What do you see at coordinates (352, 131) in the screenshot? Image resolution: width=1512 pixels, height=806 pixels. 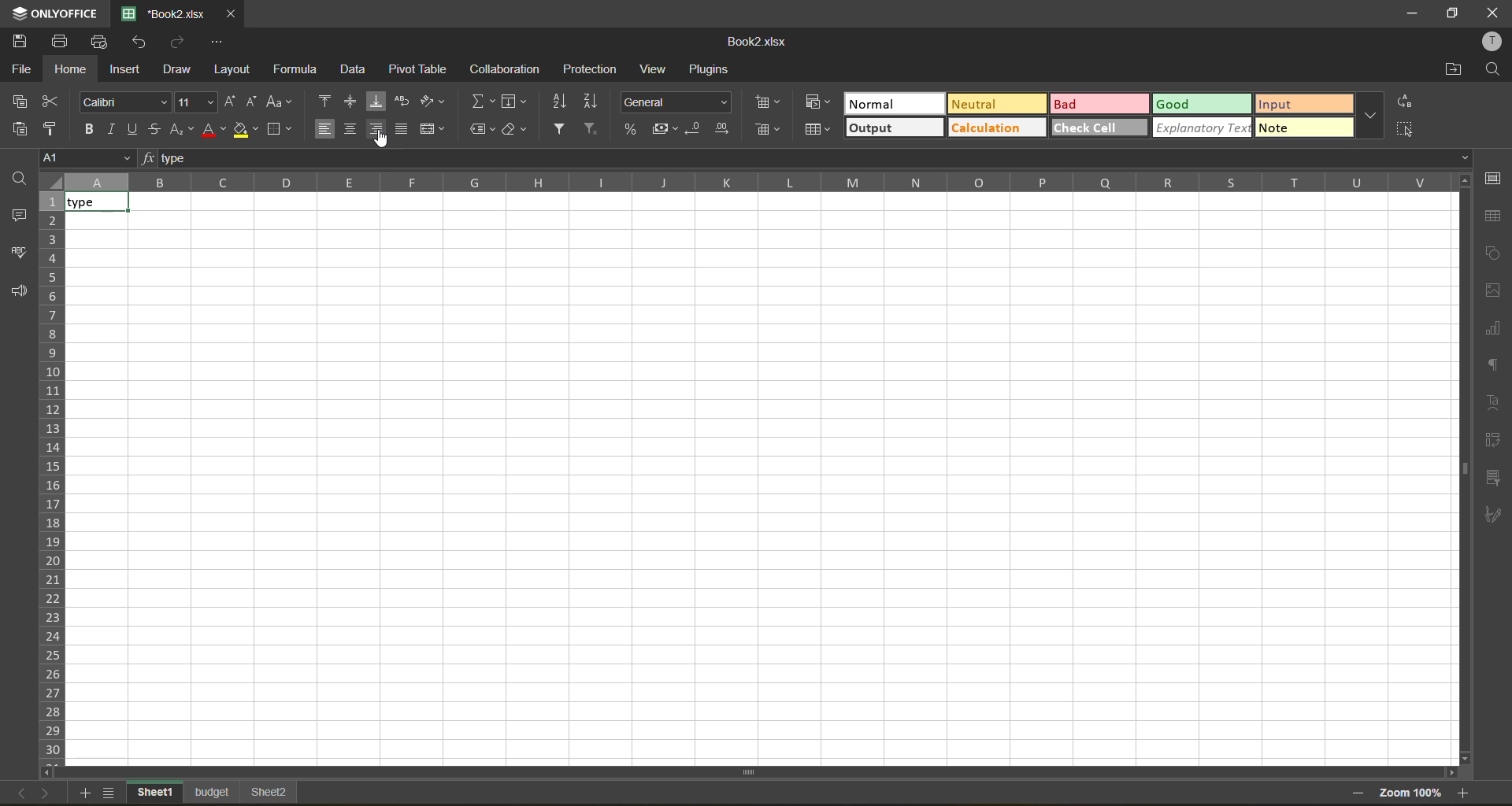 I see `align middle` at bounding box center [352, 131].